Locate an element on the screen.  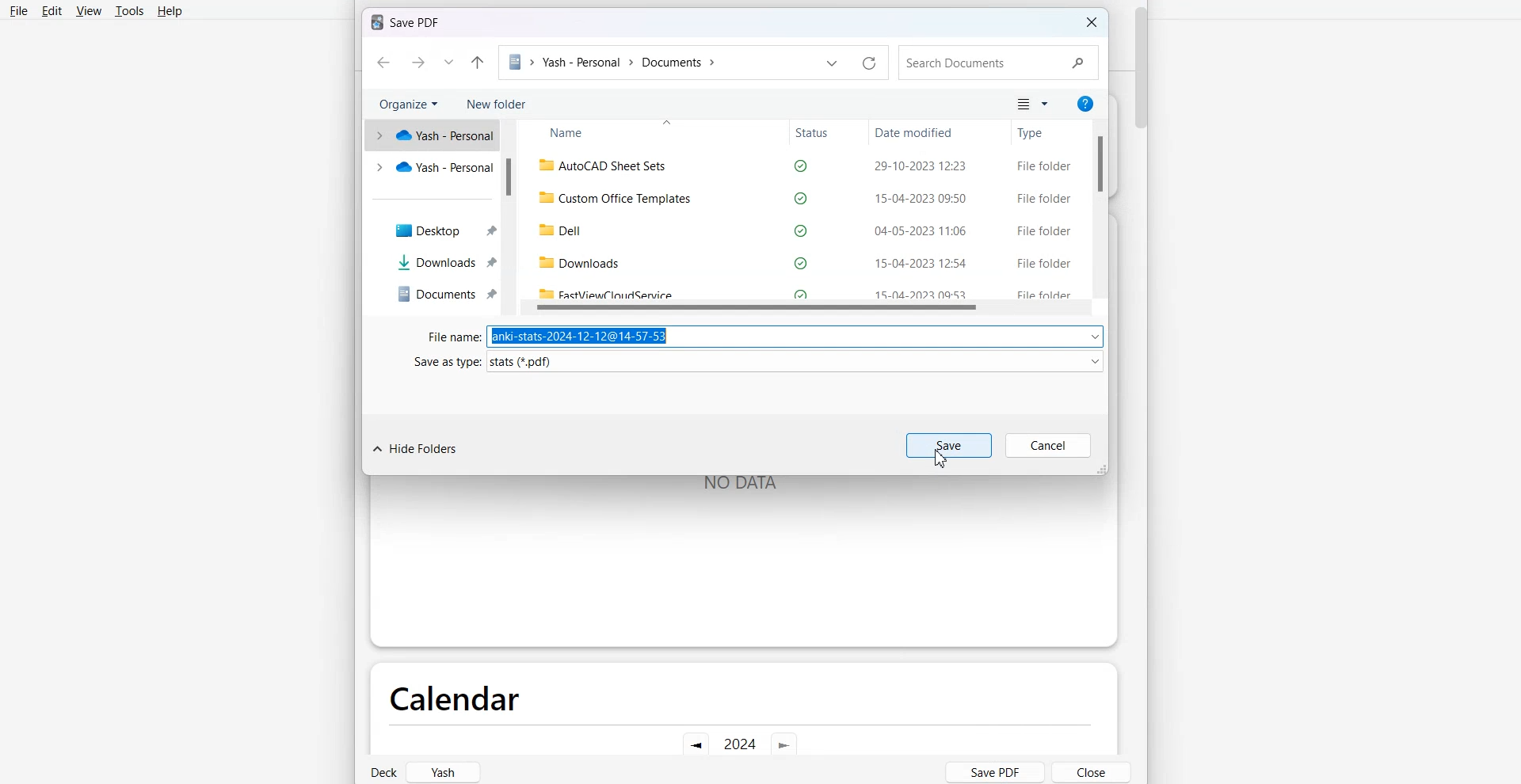
View is located at coordinates (88, 11).